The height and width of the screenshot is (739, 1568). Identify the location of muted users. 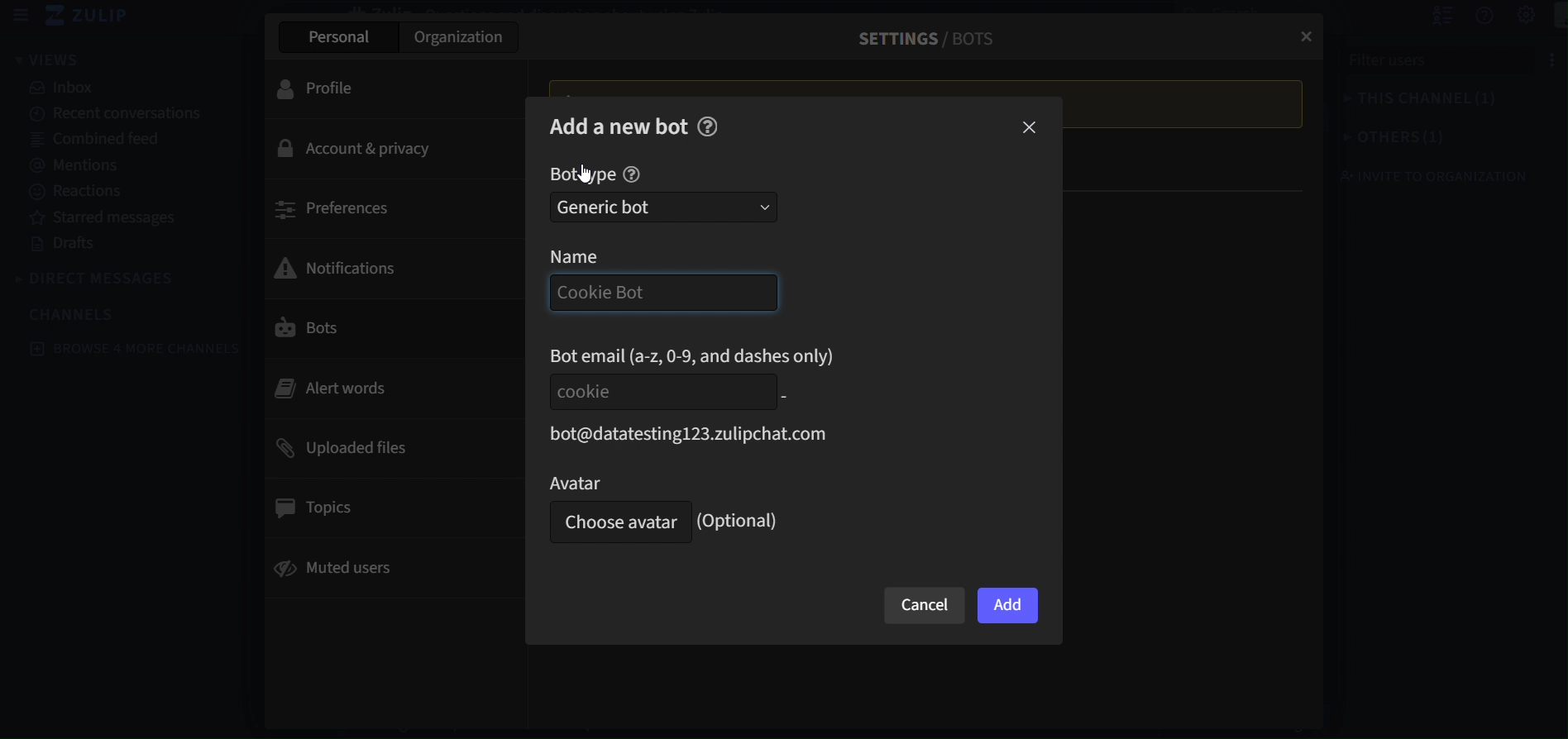
(387, 565).